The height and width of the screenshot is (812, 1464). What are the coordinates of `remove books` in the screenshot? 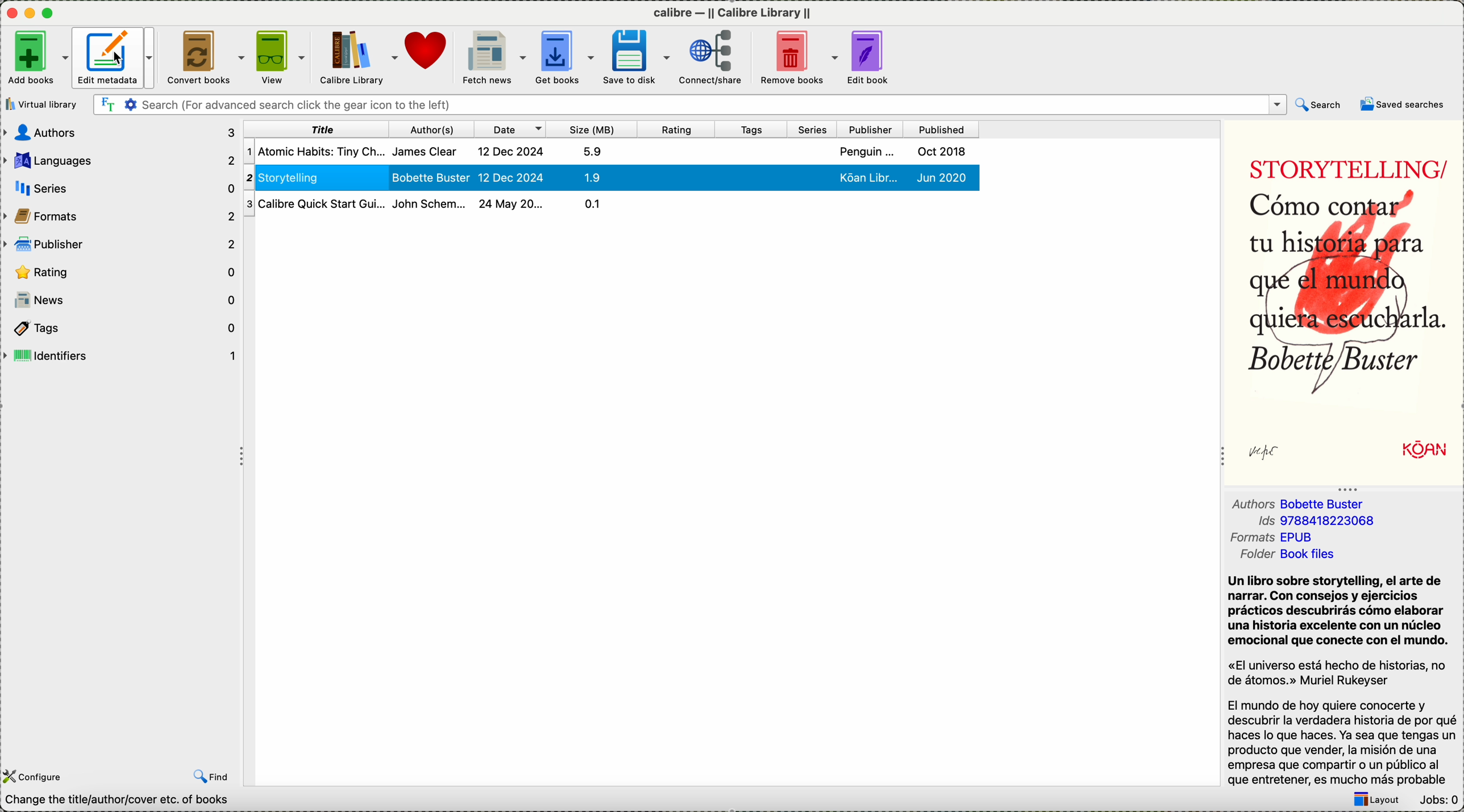 It's located at (800, 57).